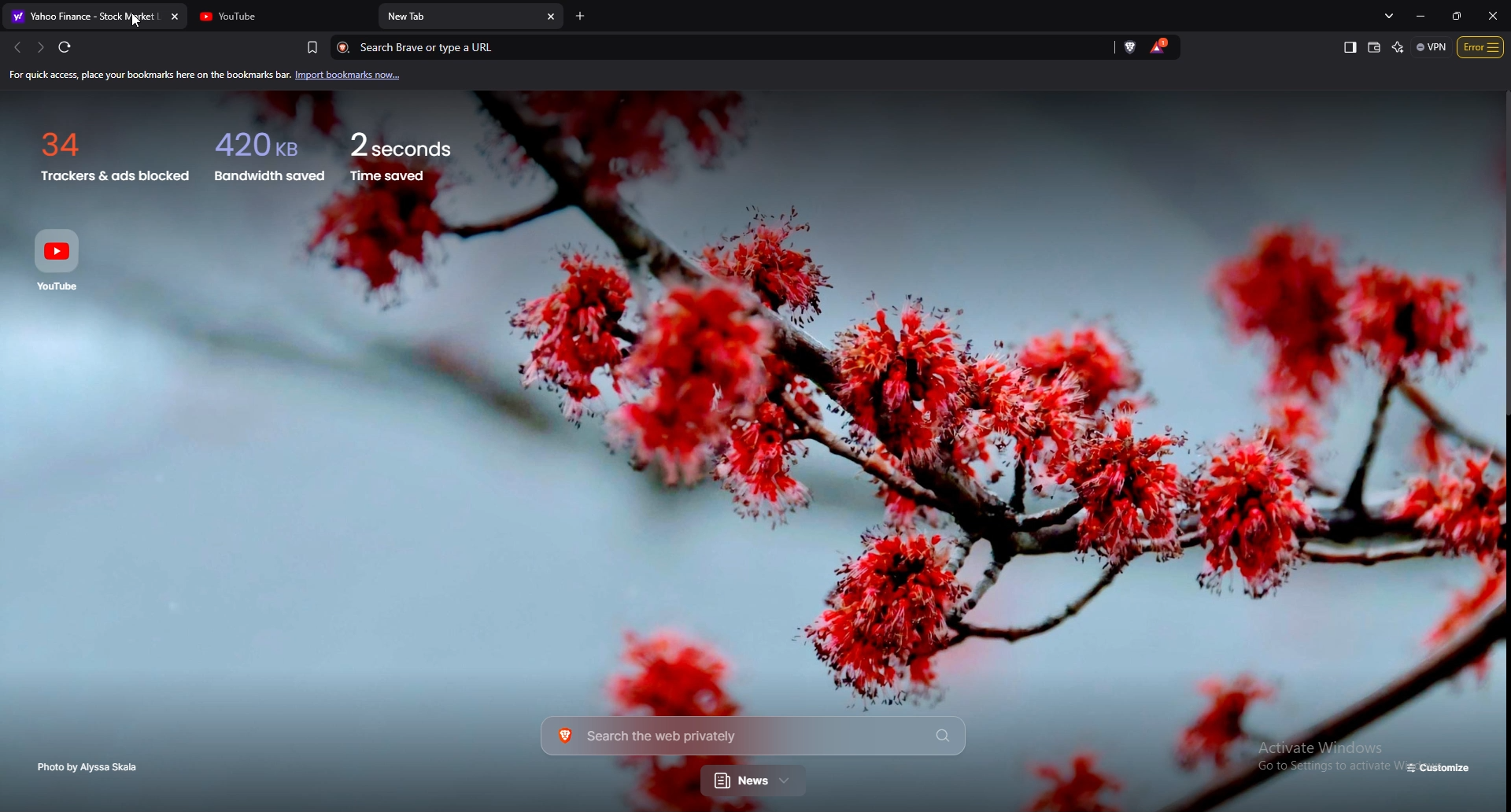 The height and width of the screenshot is (812, 1511). What do you see at coordinates (1432, 46) in the screenshot?
I see `vpn` at bounding box center [1432, 46].